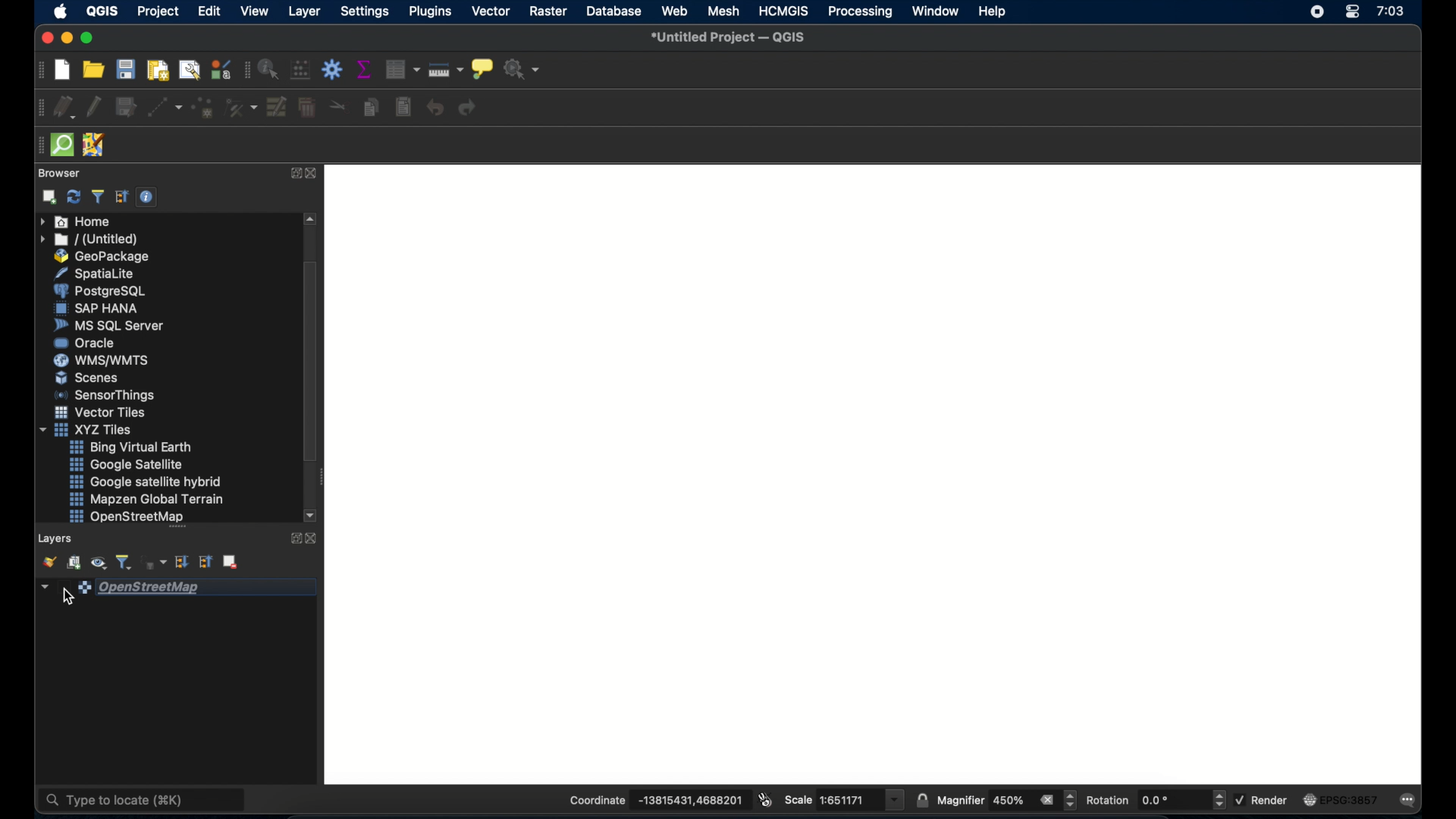 The width and height of the screenshot is (1456, 819). What do you see at coordinates (43, 39) in the screenshot?
I see `close` at bounding box center [43, 39].